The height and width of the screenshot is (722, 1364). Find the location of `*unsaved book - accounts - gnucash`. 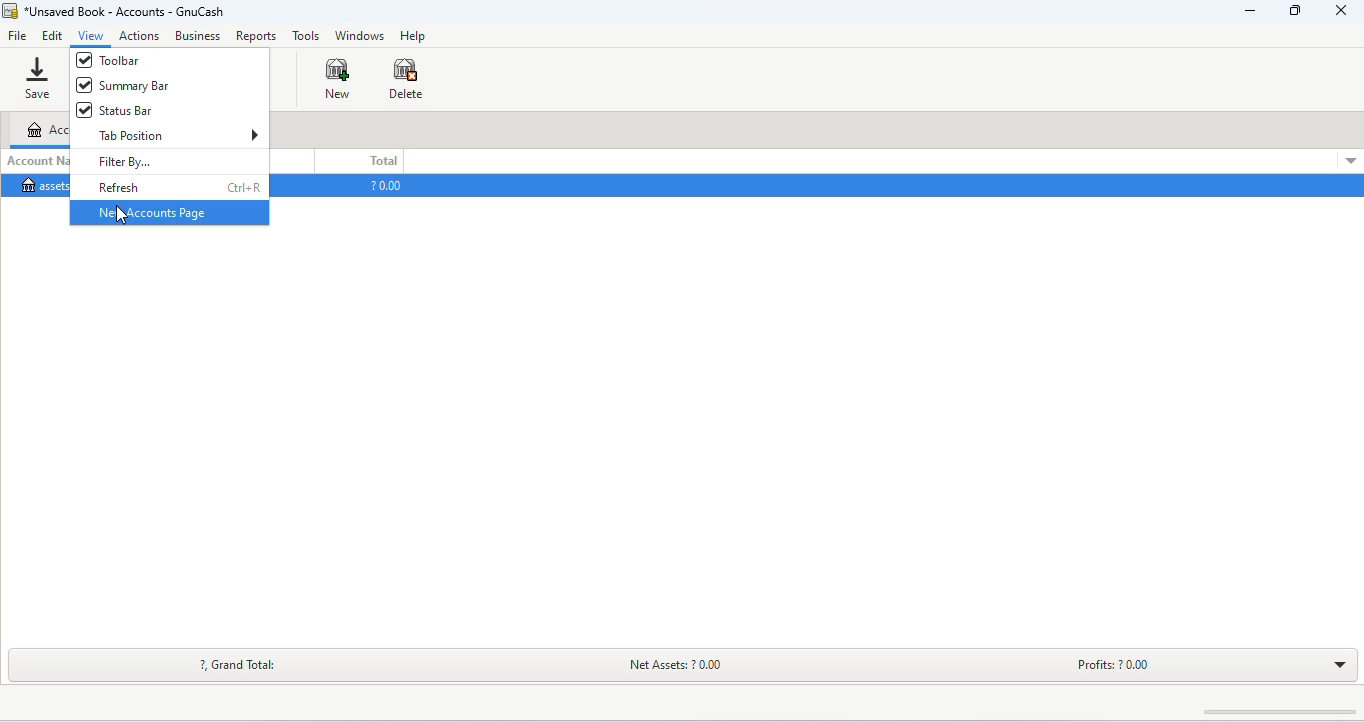

*unsaved book - accounts - gnucash is located at coordinates (129, 12).